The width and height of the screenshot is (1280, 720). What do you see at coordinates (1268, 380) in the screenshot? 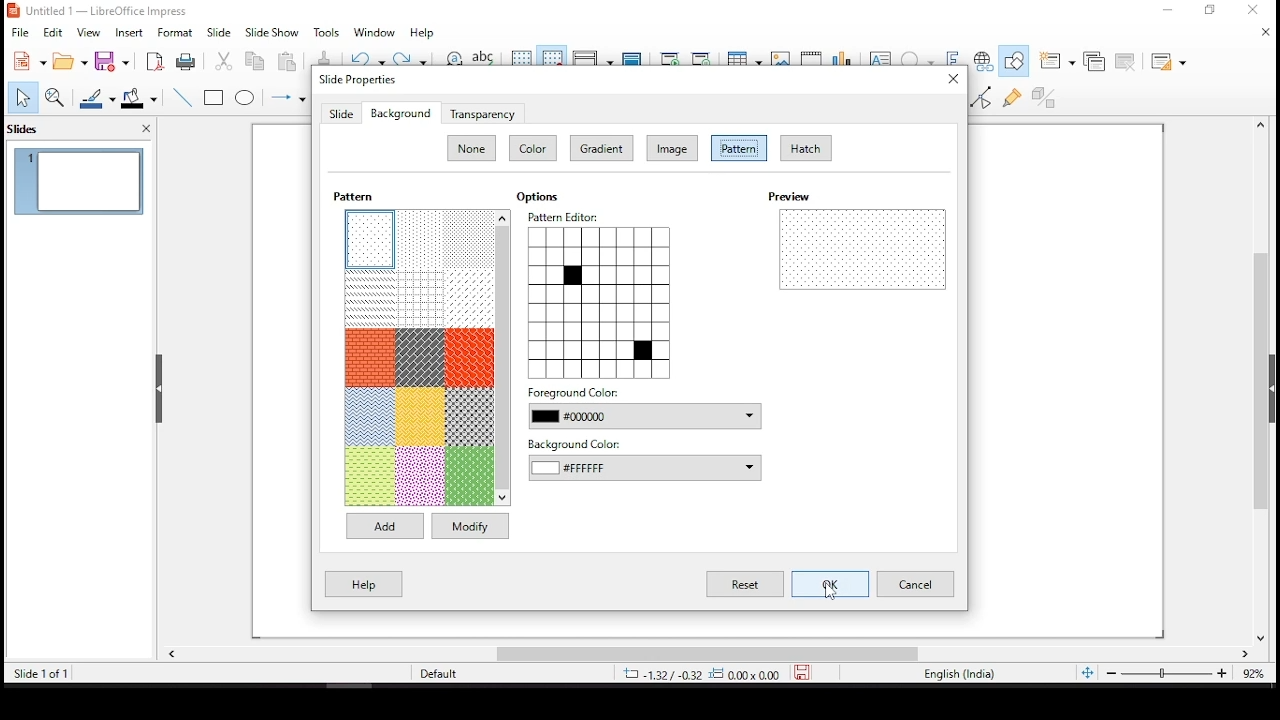
I see `scroll bar` at bounding box center [1268, 380].